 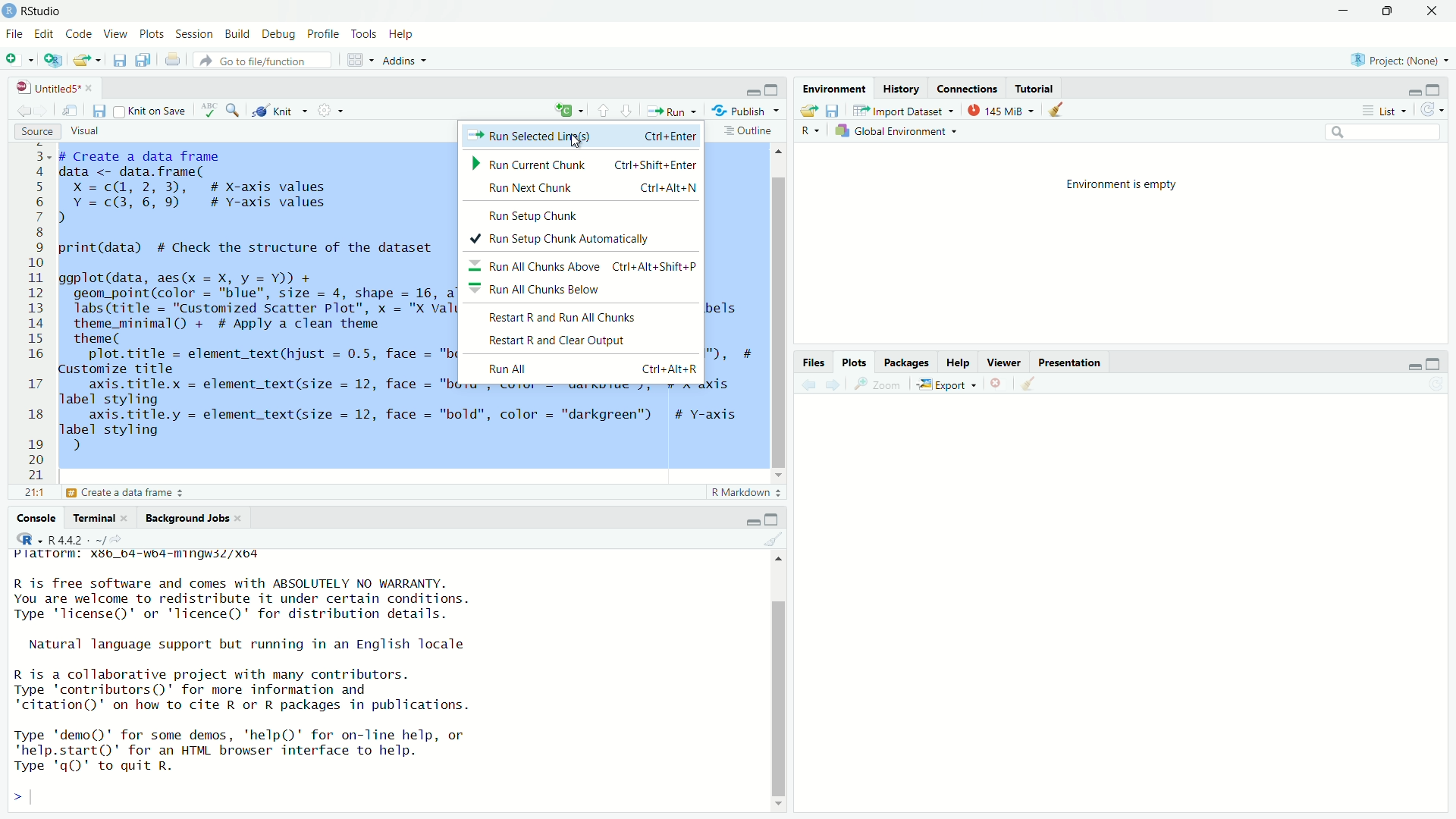 What do you see at coordinates (235, 112) in the screenshot?
I see `Find/replace` at bounding box center [235, 112].